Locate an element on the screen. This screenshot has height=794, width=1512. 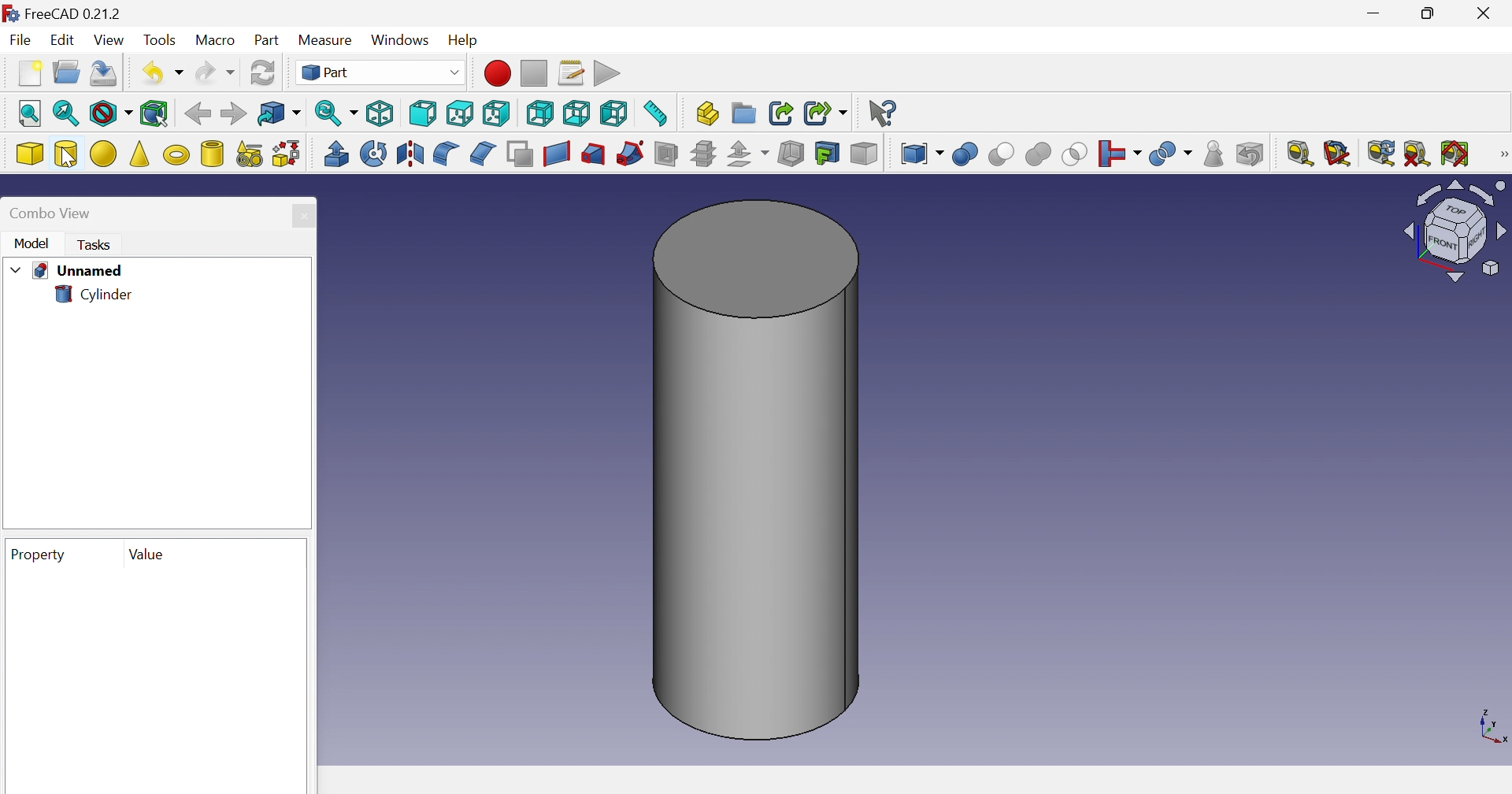
Save is located at coordinates (103, 72).